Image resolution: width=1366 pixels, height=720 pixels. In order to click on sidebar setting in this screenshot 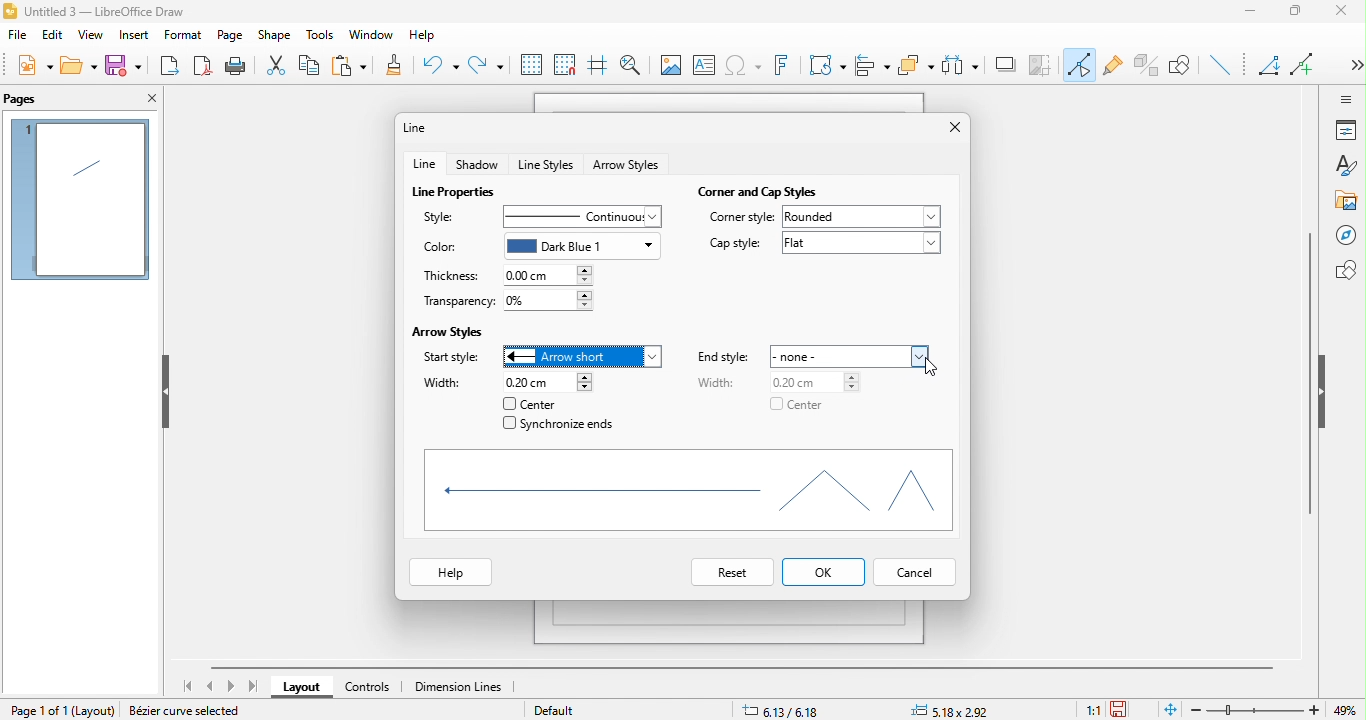, I will do `click(1346, 98)`.